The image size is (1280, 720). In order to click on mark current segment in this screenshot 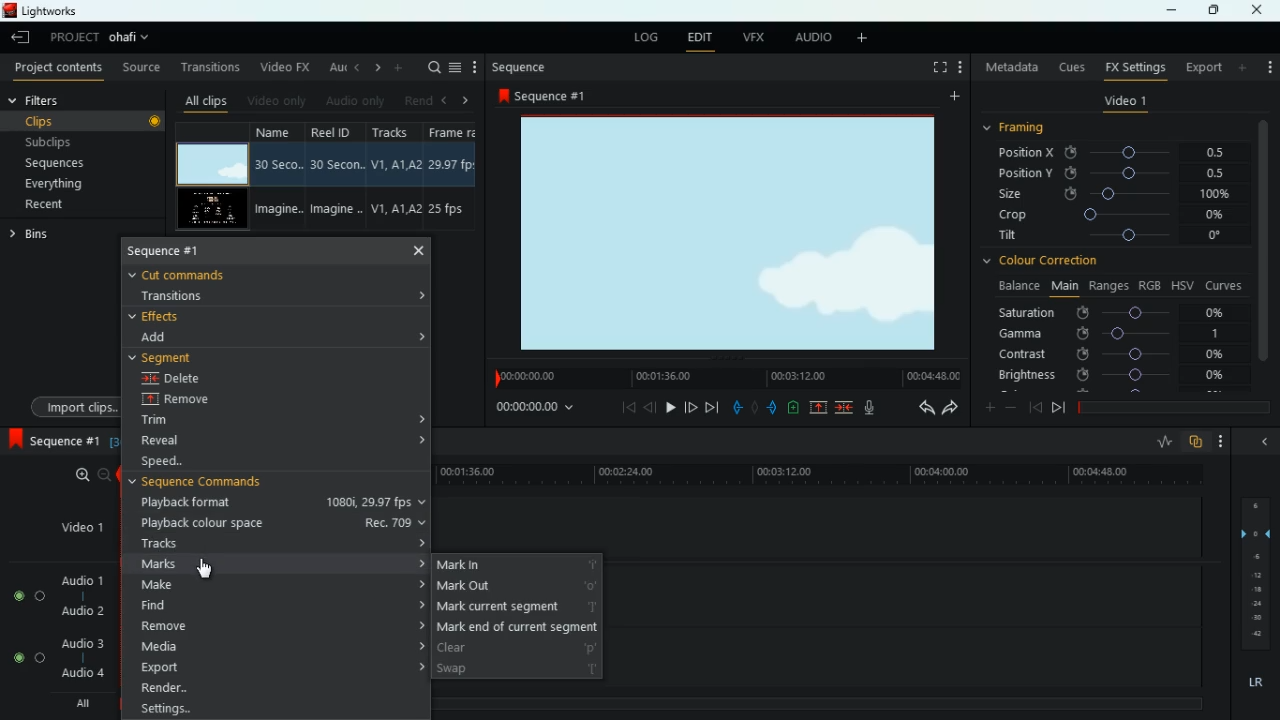, I will do `click(524, 605)`.